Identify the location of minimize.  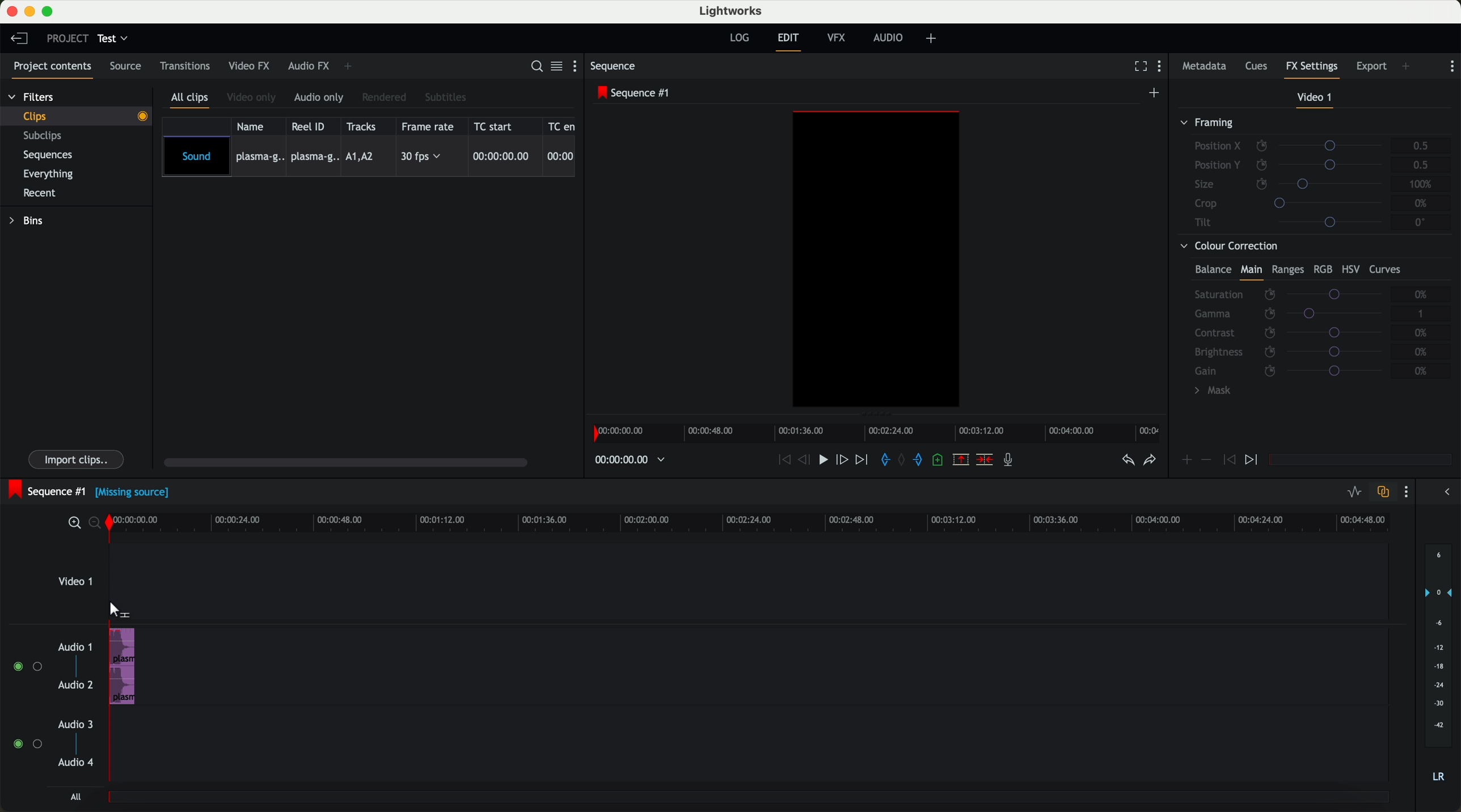
(29, 12).